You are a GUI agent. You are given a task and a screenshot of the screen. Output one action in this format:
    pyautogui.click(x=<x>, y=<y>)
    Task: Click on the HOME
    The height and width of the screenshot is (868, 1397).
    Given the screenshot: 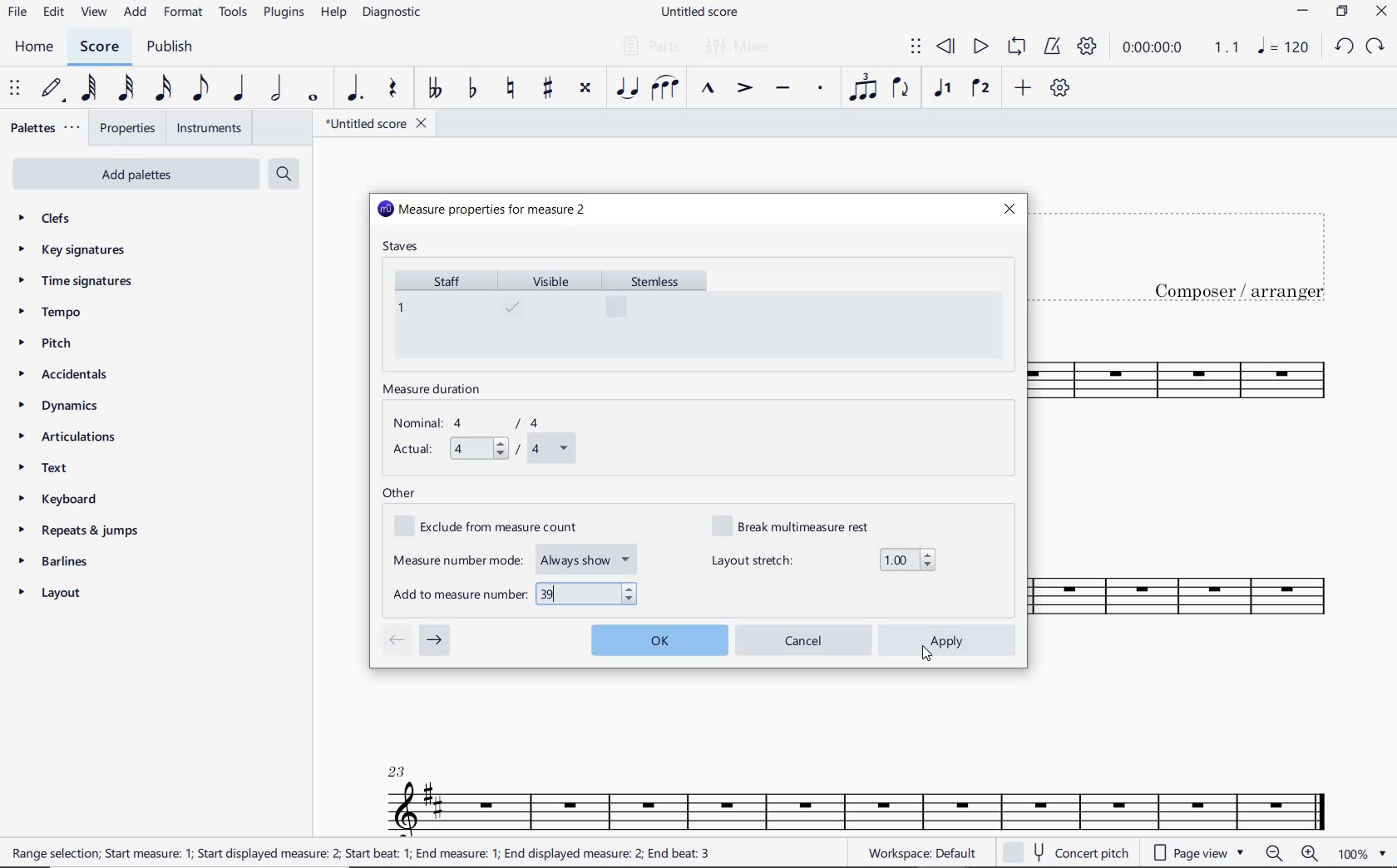 What is the action you would take?
    pyautogui.click(x=33, y=47)
    